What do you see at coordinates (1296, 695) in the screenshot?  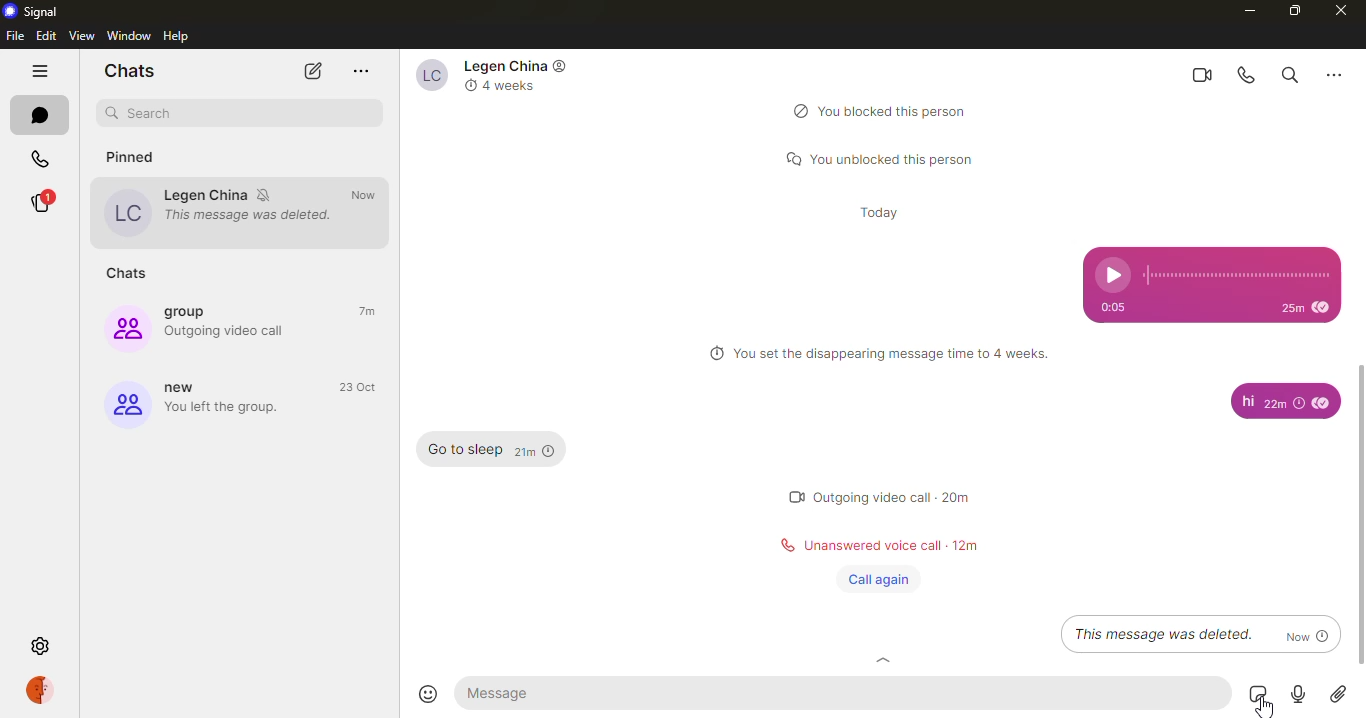 I see `record` at bounding box center [1296, 695].